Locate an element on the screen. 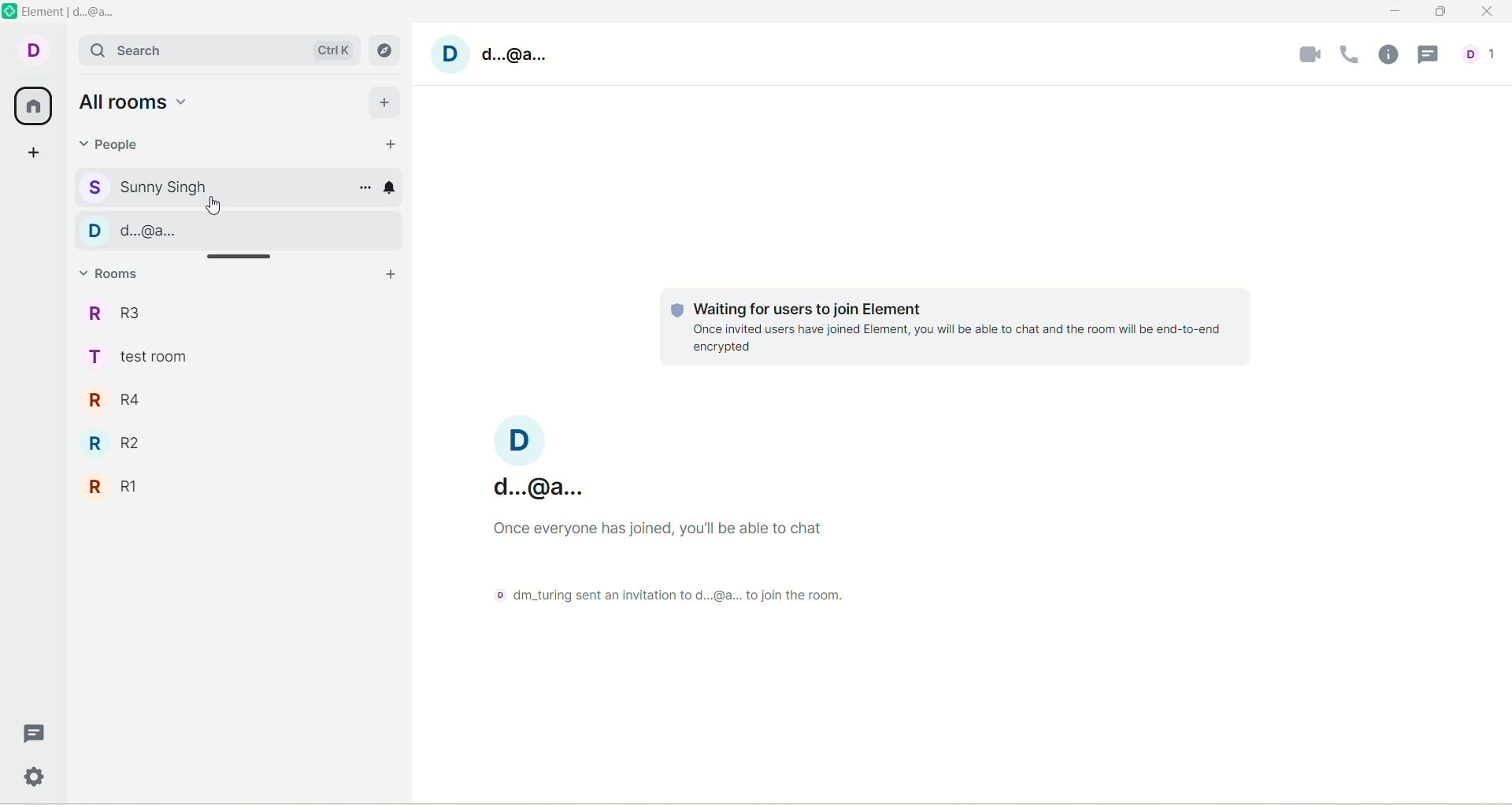 Image resolution: width=1512 pixels, height=805 pixels. threads is located at coordinates (34, 732).